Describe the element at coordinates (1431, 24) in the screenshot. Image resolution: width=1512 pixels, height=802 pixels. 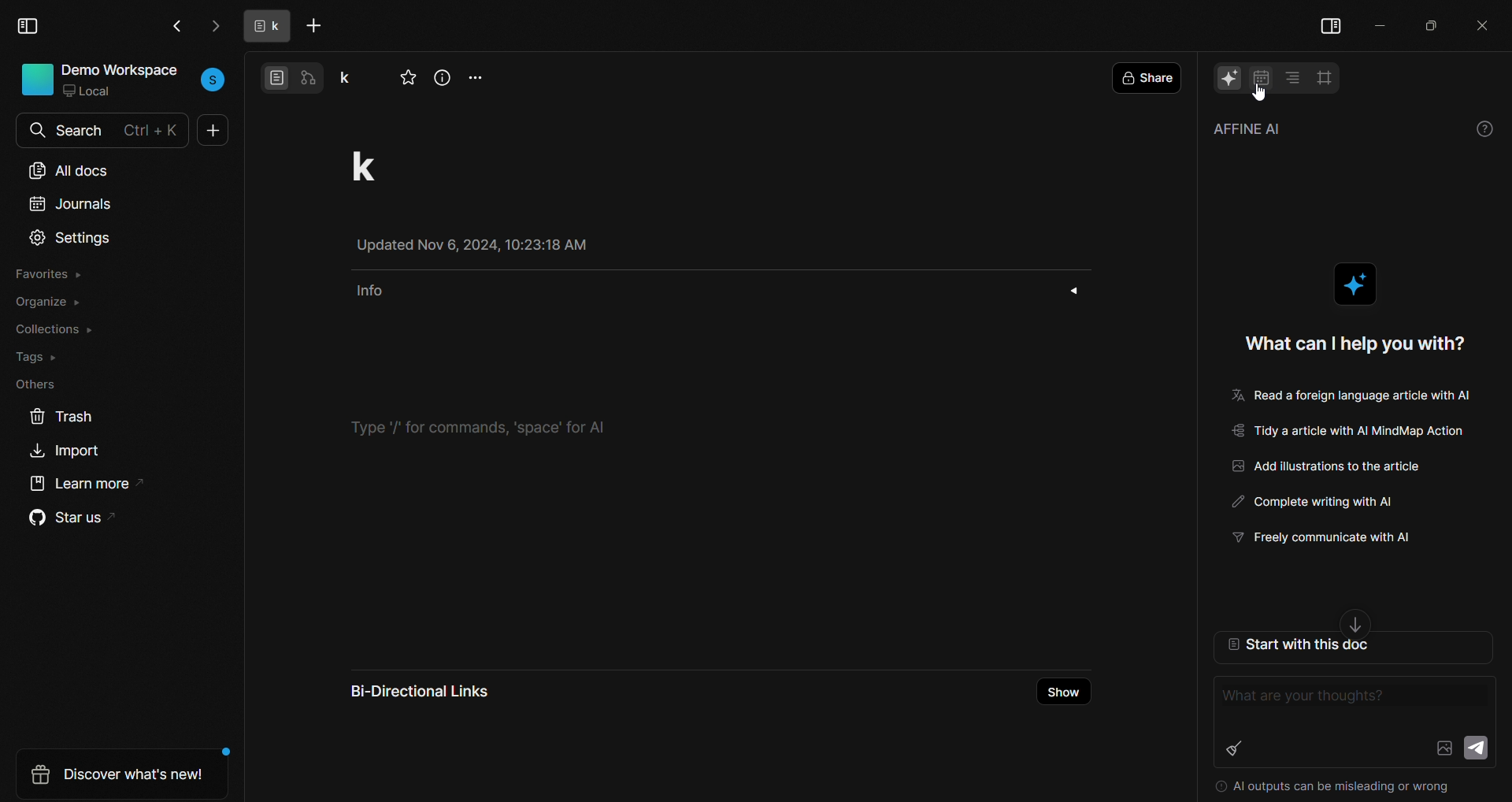
I see `resize` at that location.